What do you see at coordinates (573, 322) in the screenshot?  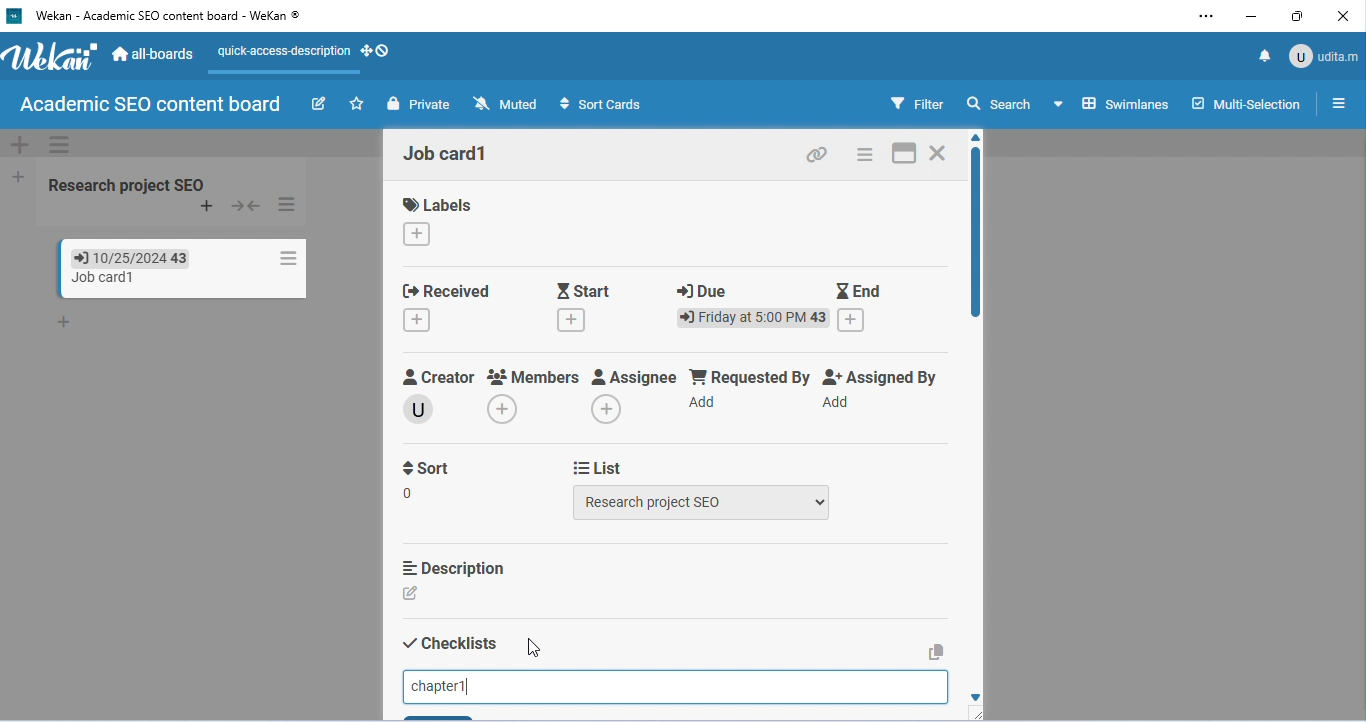 I see `add starting date` at bounding box center [573, 322].